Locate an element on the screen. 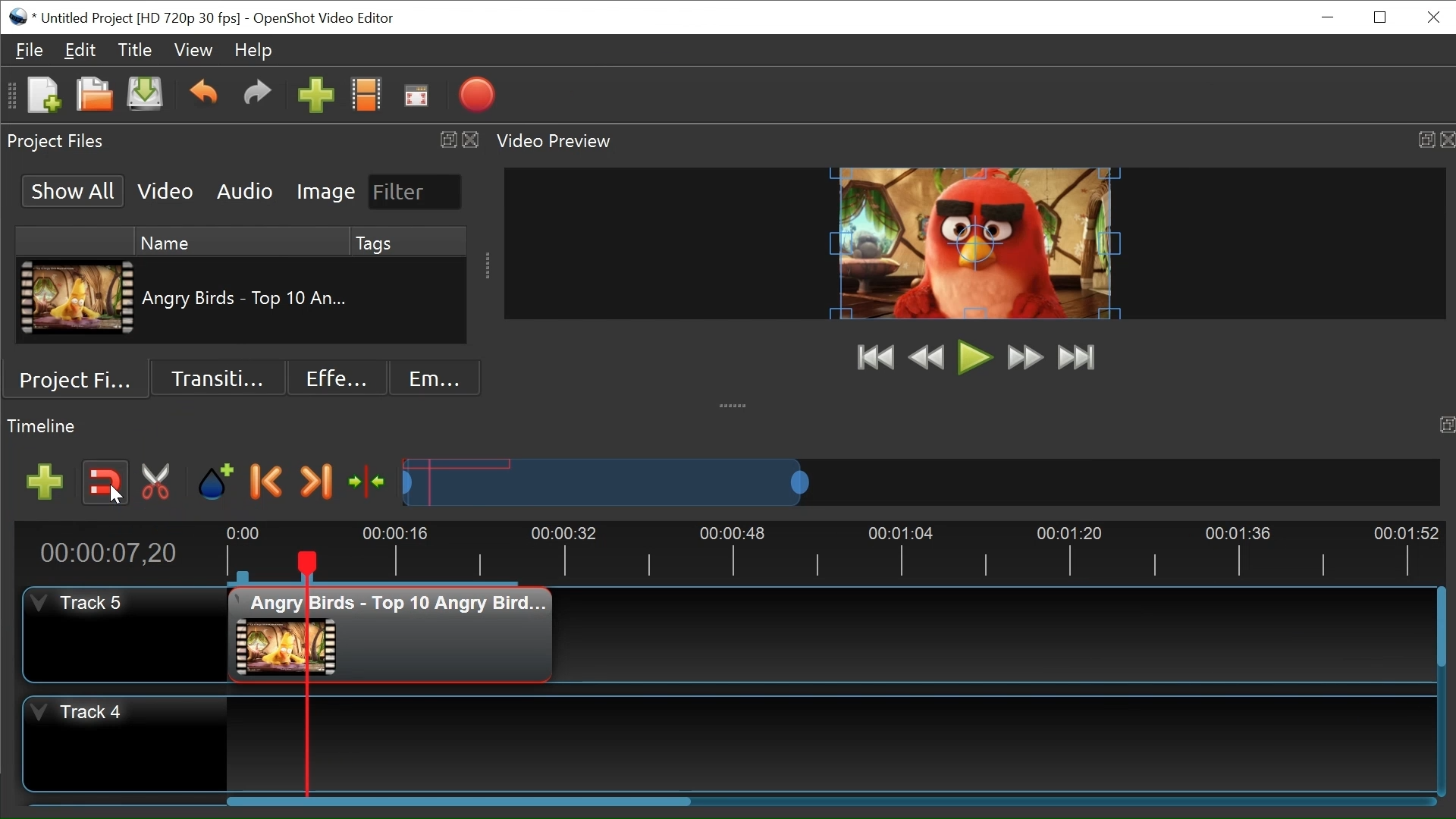 Image resolution: width=1456 pixels, height=819 pixels. drag handle is located at coordinates (735, 403).